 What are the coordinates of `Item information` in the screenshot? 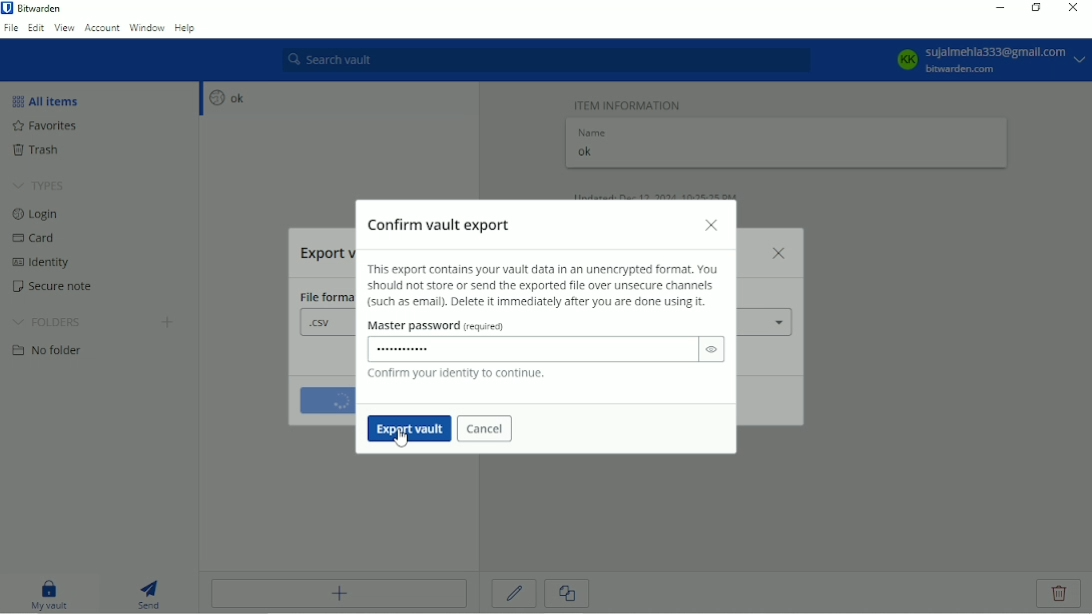 It's located at (629, 103).